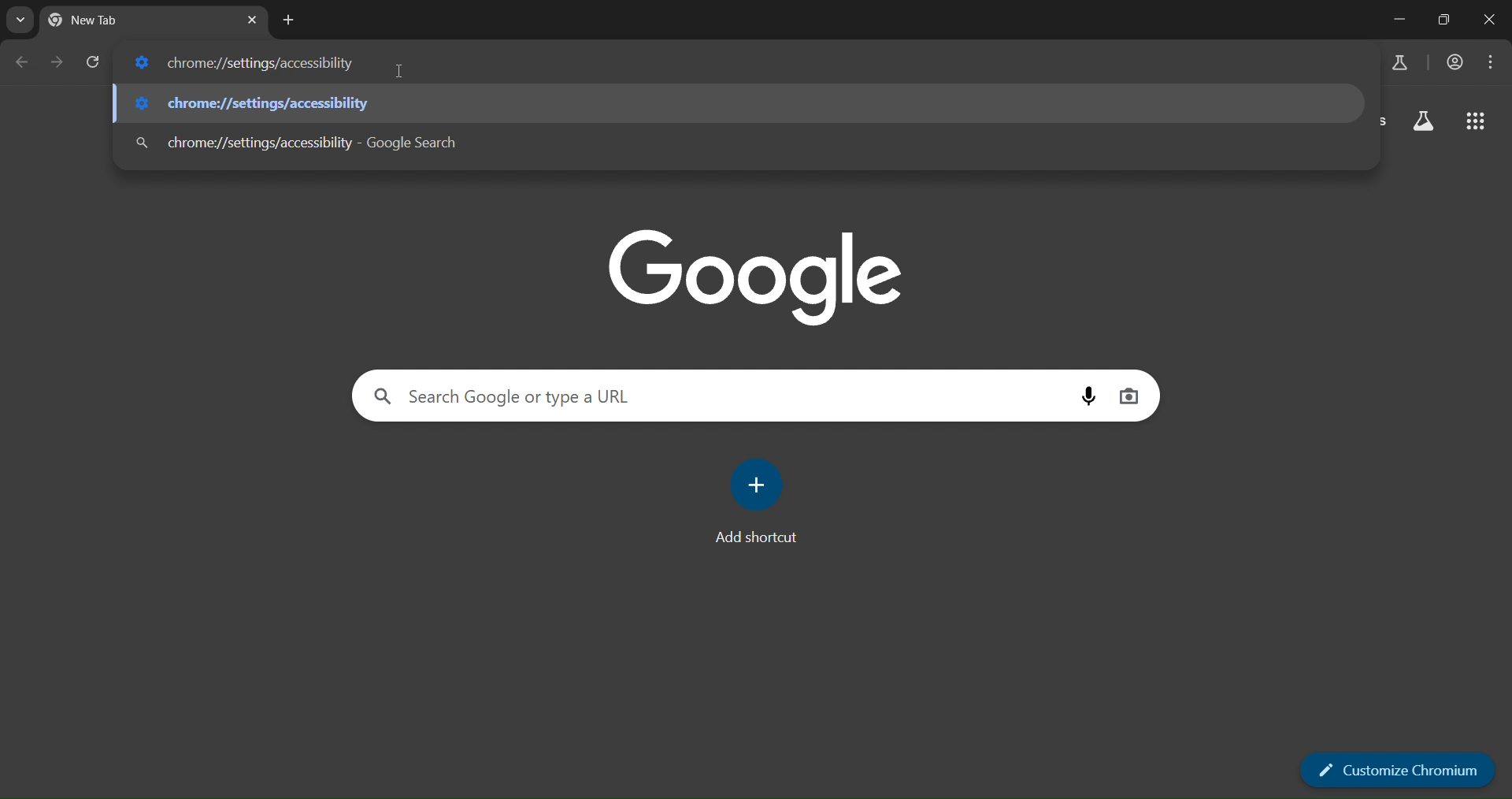 This screenshot has height=799, width=1512. Describe the element at coordinates (114, 20) in the screenshot. I see `current tab` at that location.